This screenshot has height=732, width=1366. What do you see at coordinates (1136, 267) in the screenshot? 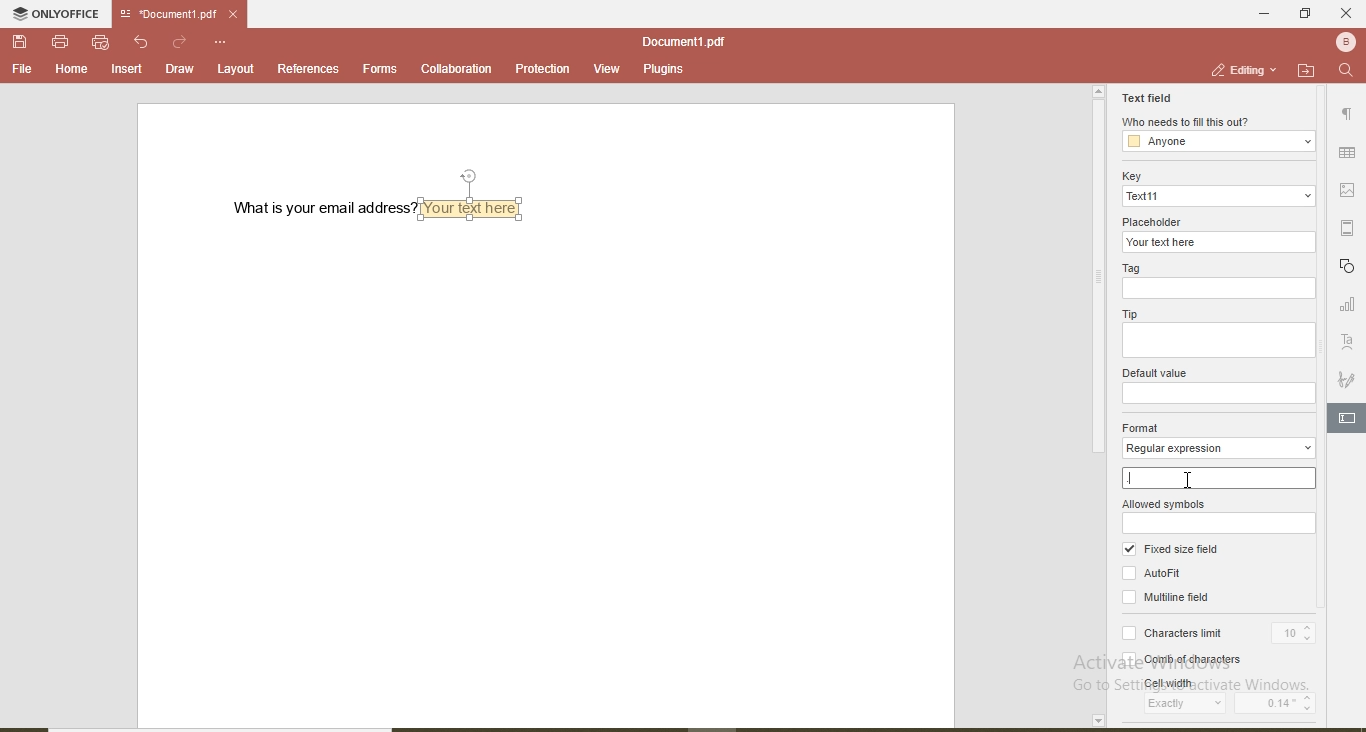
I see `Tag` at bounding box center [1136, 267].